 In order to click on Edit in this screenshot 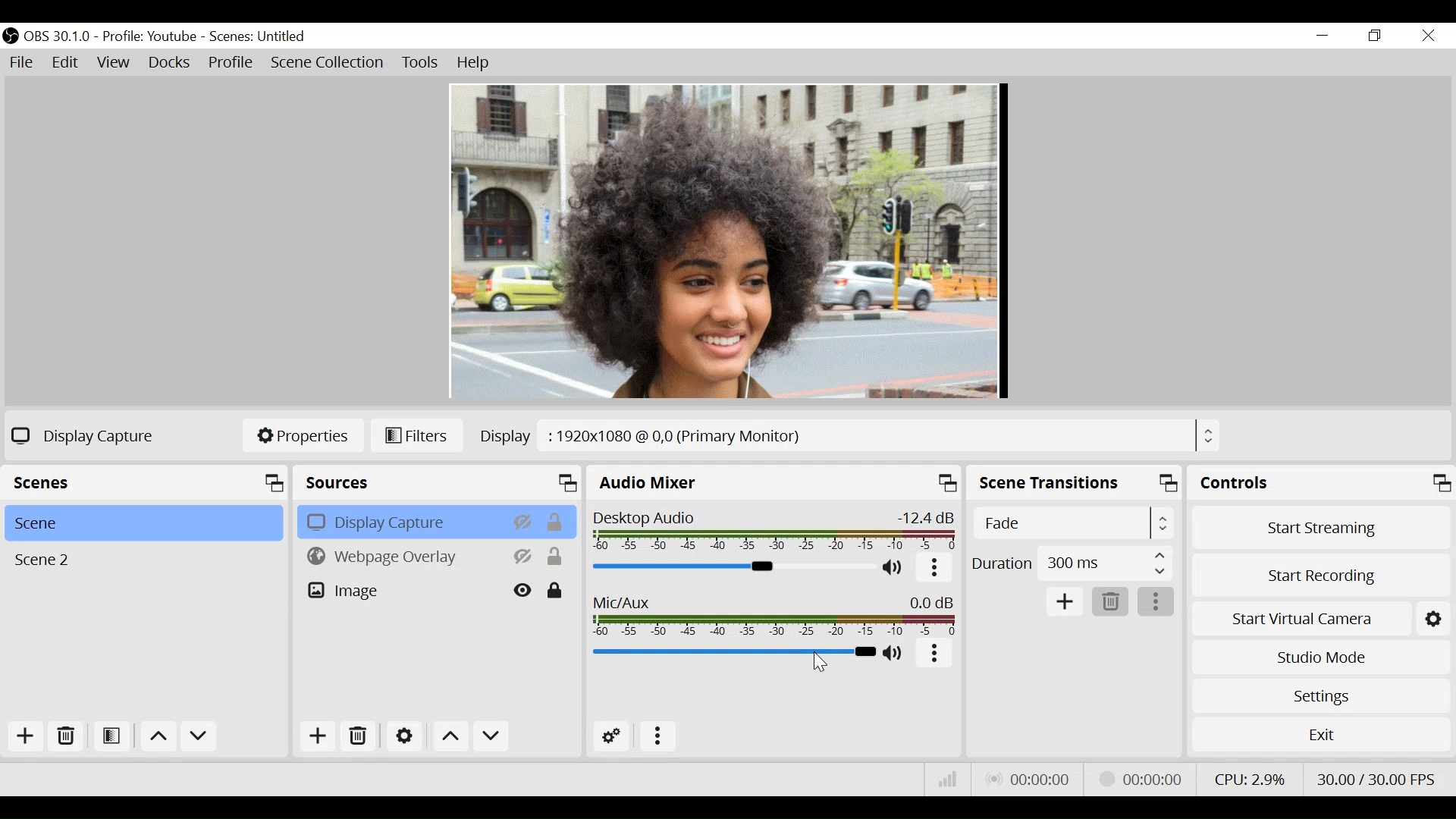, I will do `click(65, 63)`.